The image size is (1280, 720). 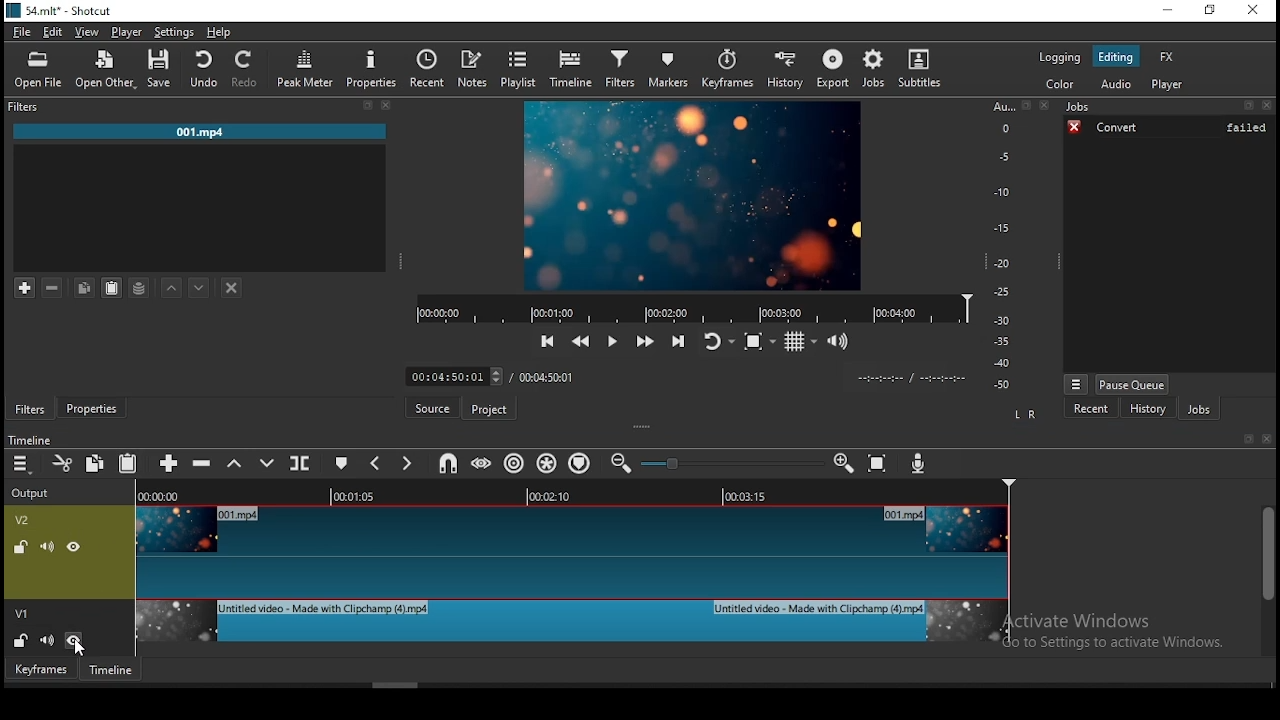 What do you see at coordinates (115, 671) in the screenshot?
I see `timeline` at bounding box center [115, 671].